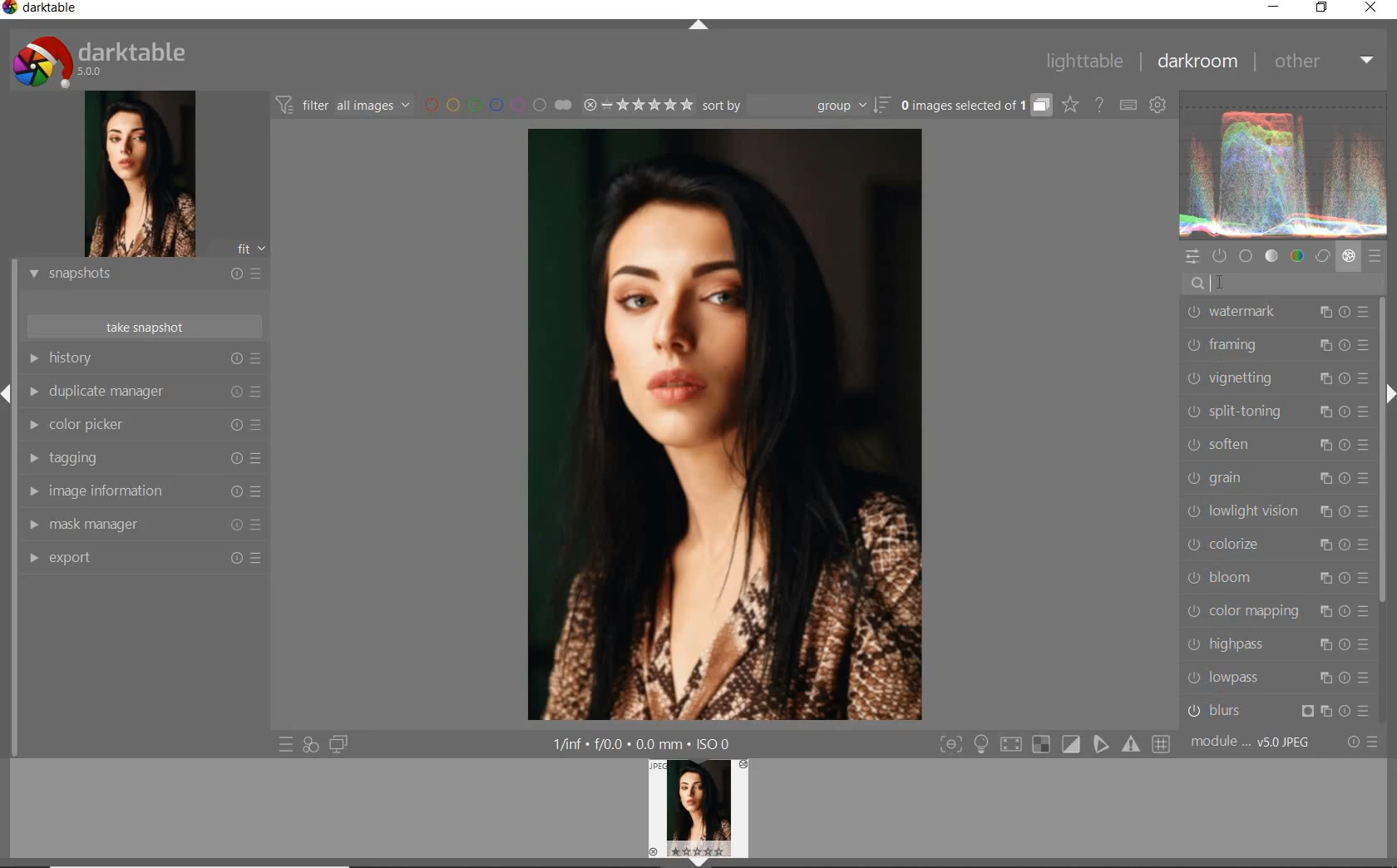 This screenshot has height=868, width=1397. What do you see at coordinates (1277, 412) in the screenshot?
I see `split-toning` at bounding box center [1277, 412].